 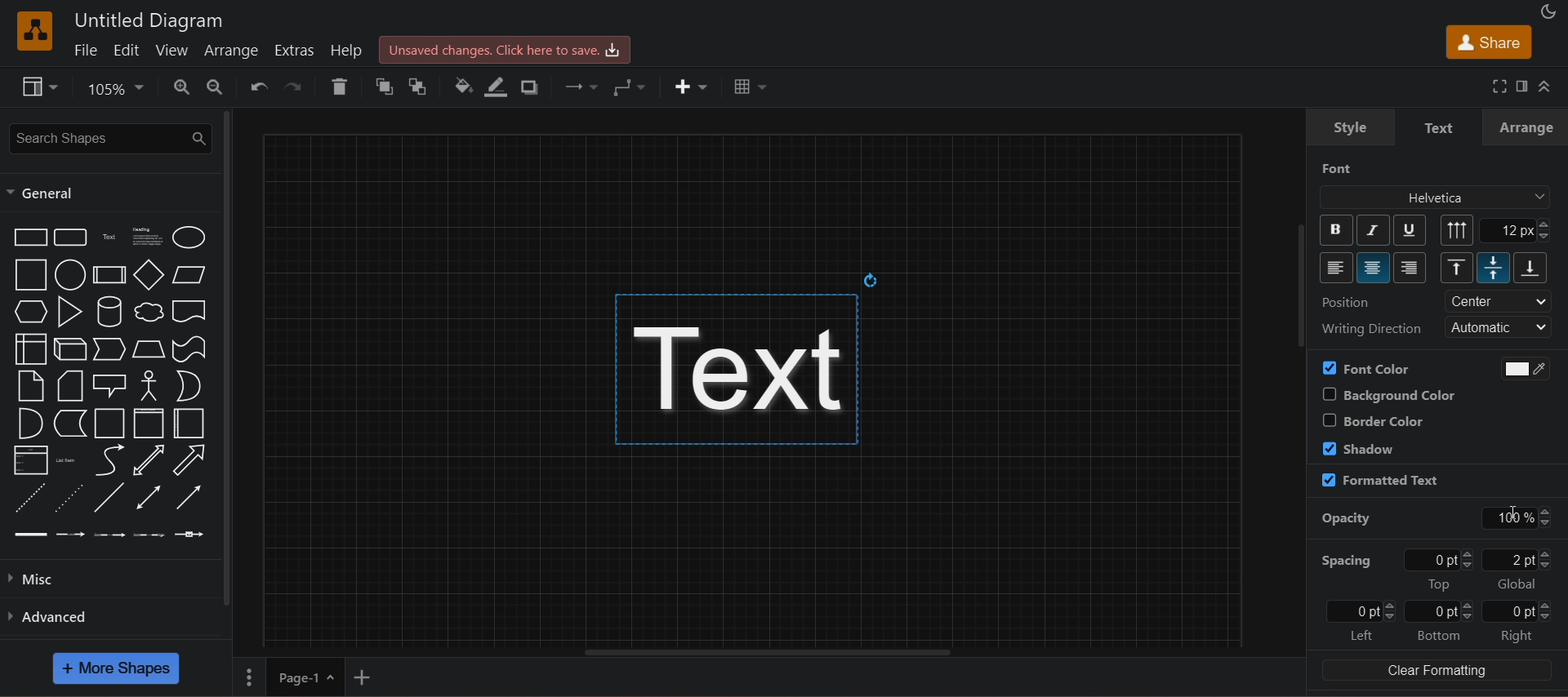 I want to click on heading, so click(x=147, y=238).